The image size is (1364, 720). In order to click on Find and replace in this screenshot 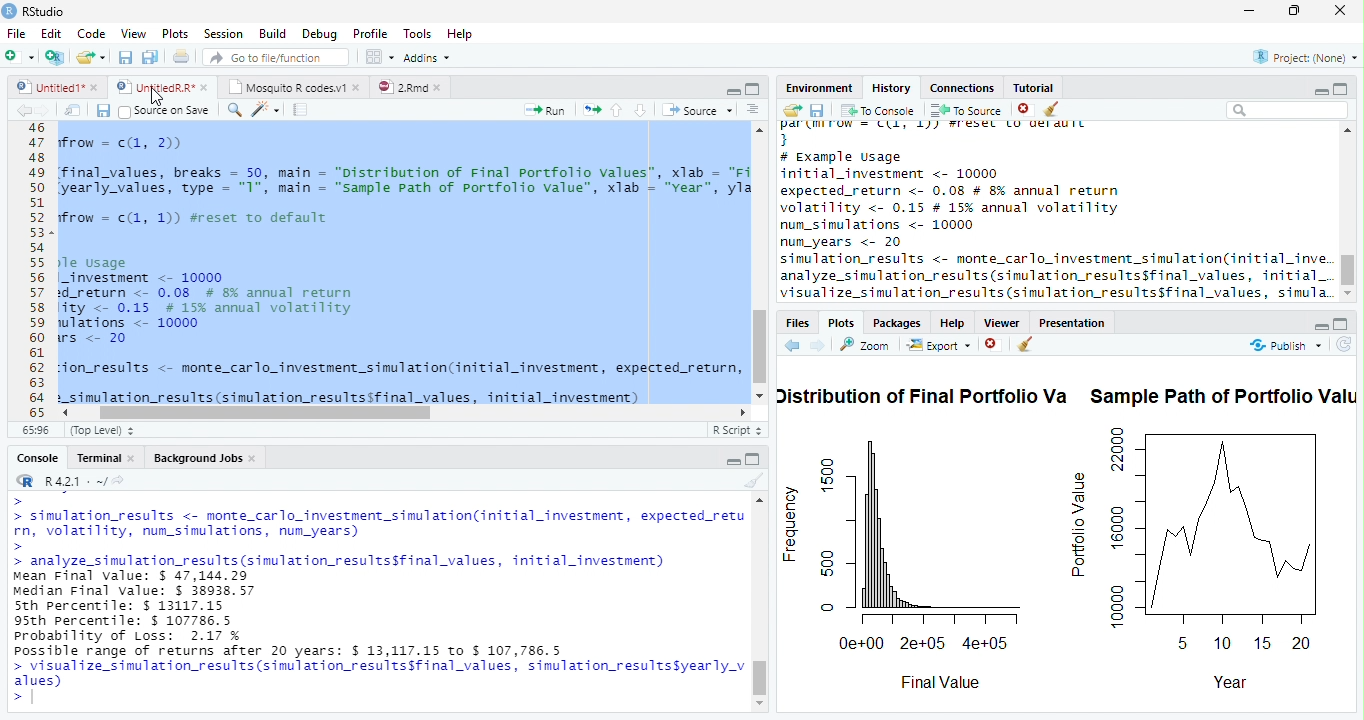, I will do `click(235, 110)`.